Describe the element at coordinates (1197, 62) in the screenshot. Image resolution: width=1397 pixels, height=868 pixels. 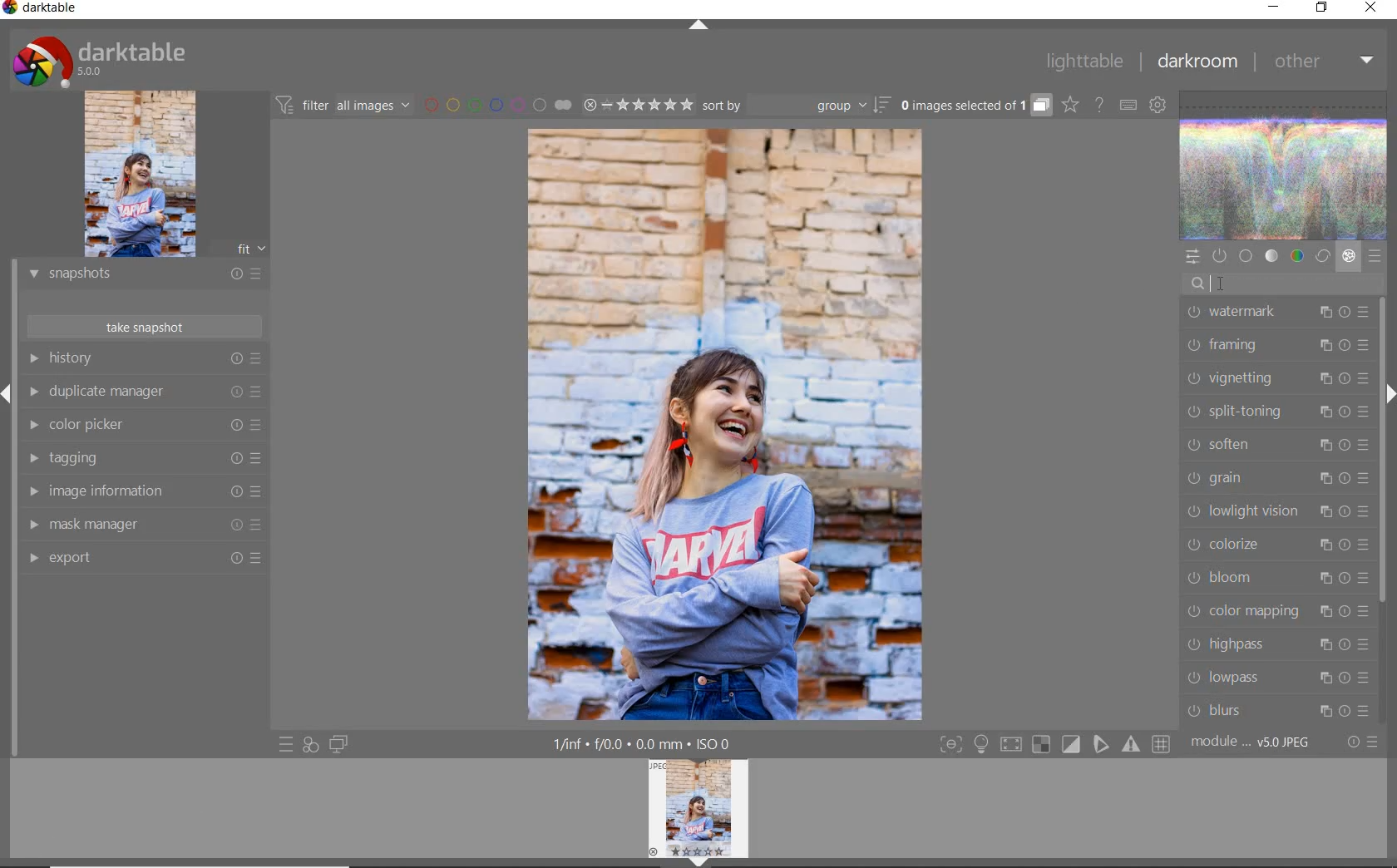
I see `darkroom` at that location.